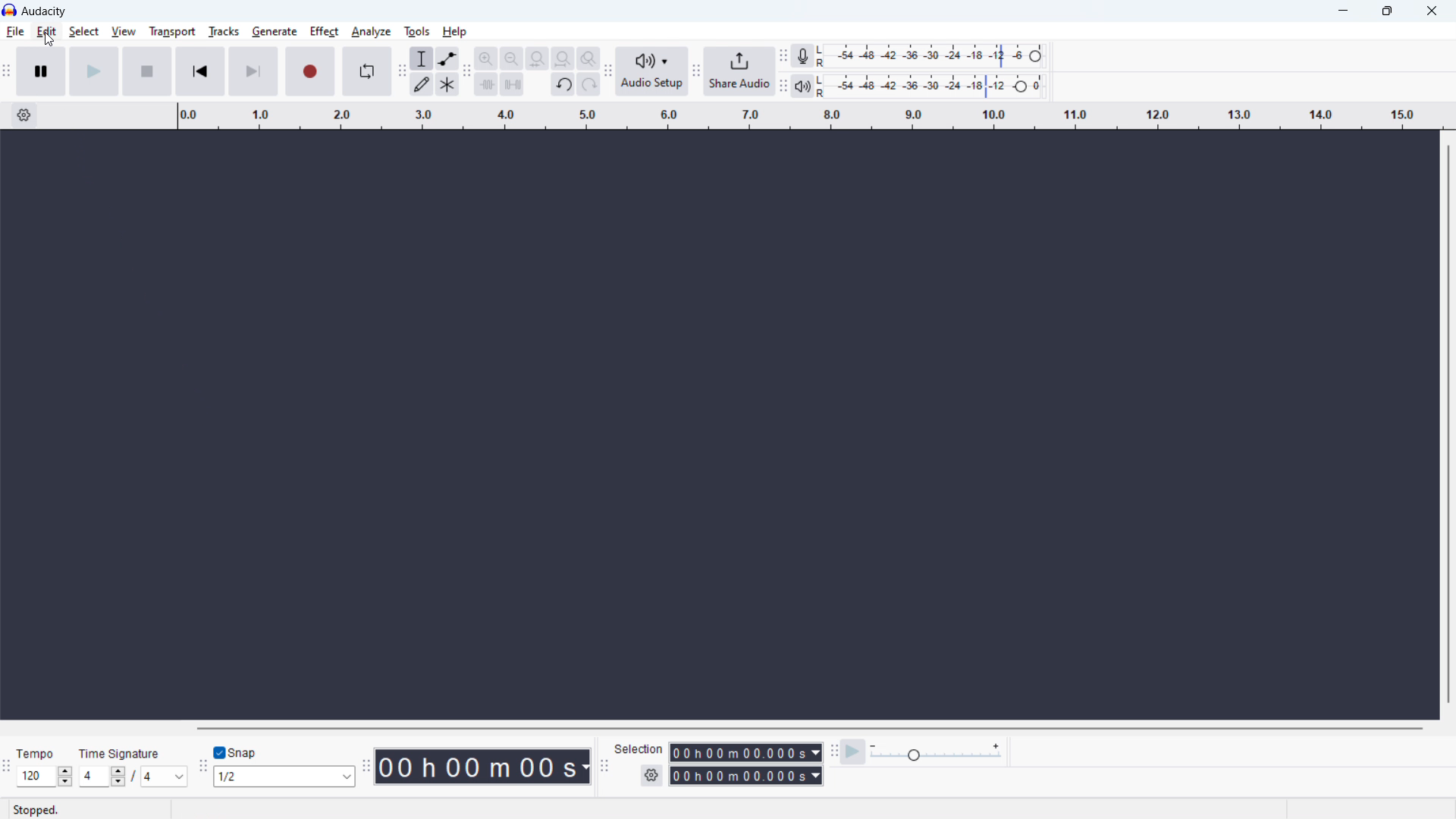 Image resolution: width=1456 pixels, height=819 pixels. What do you see at coordinates (416, 31) in the screenshot?
I see `tools` at bounding box center [416, 31].